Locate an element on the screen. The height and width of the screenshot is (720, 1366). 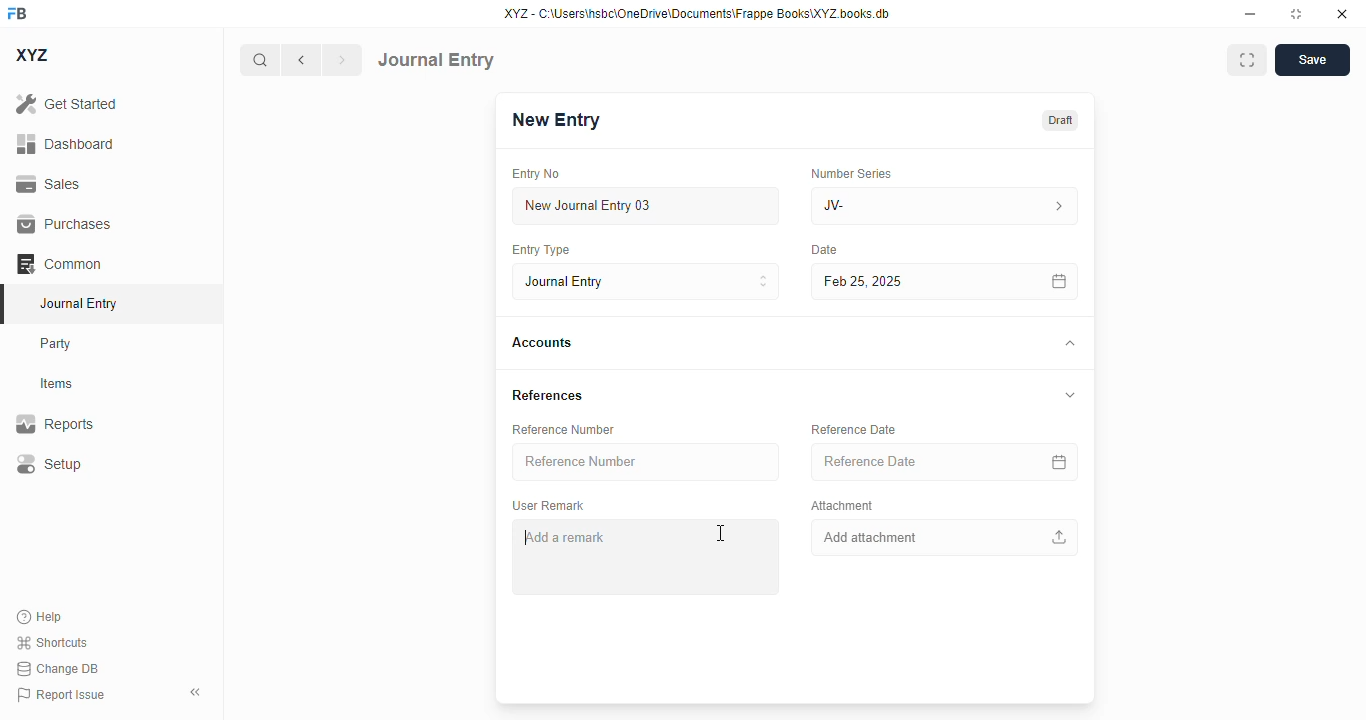
number series is located at coordinates (846, 173).